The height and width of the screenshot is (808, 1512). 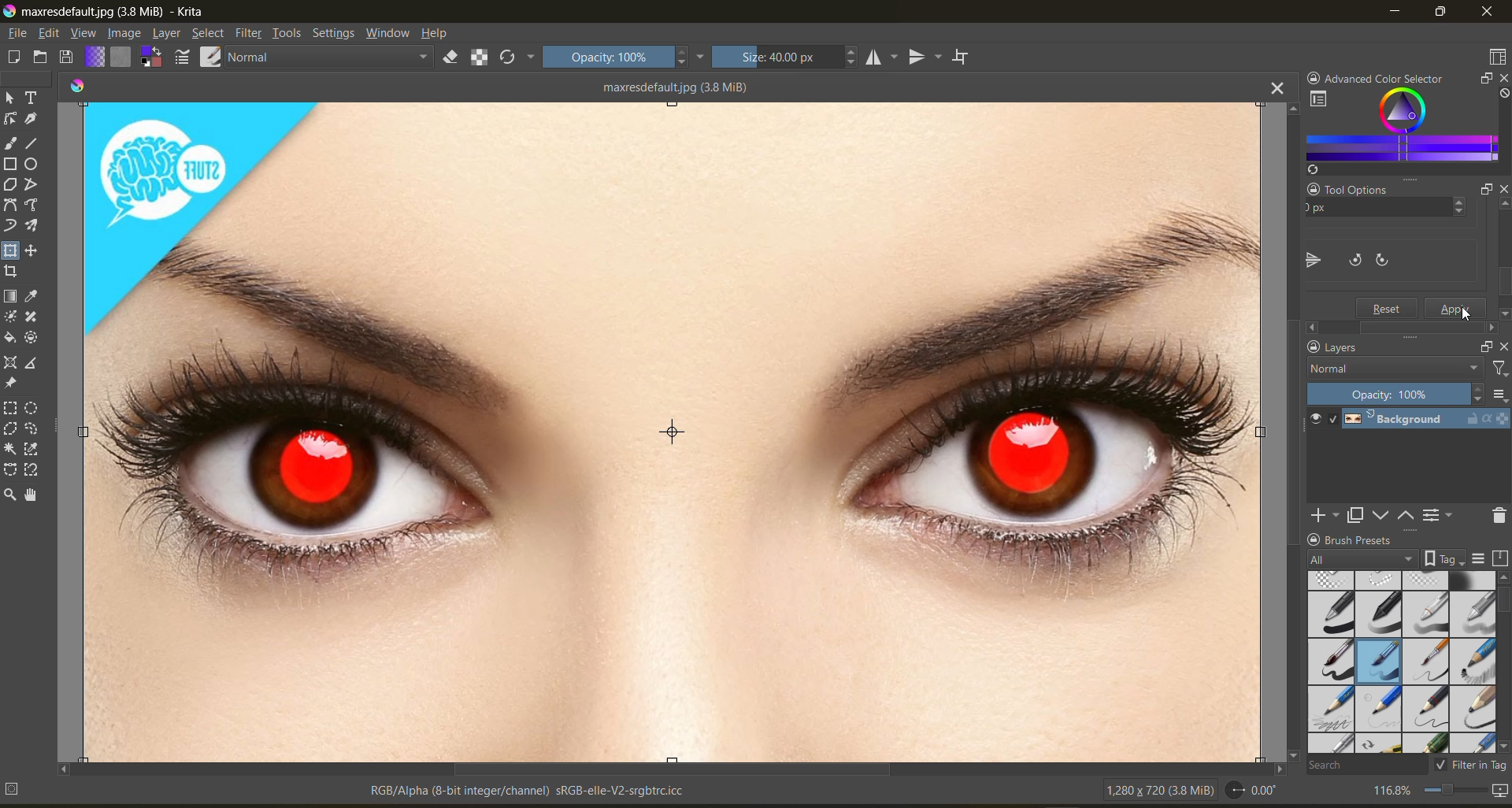 I want to click on zoom factor, so click(x=1393, y=790).